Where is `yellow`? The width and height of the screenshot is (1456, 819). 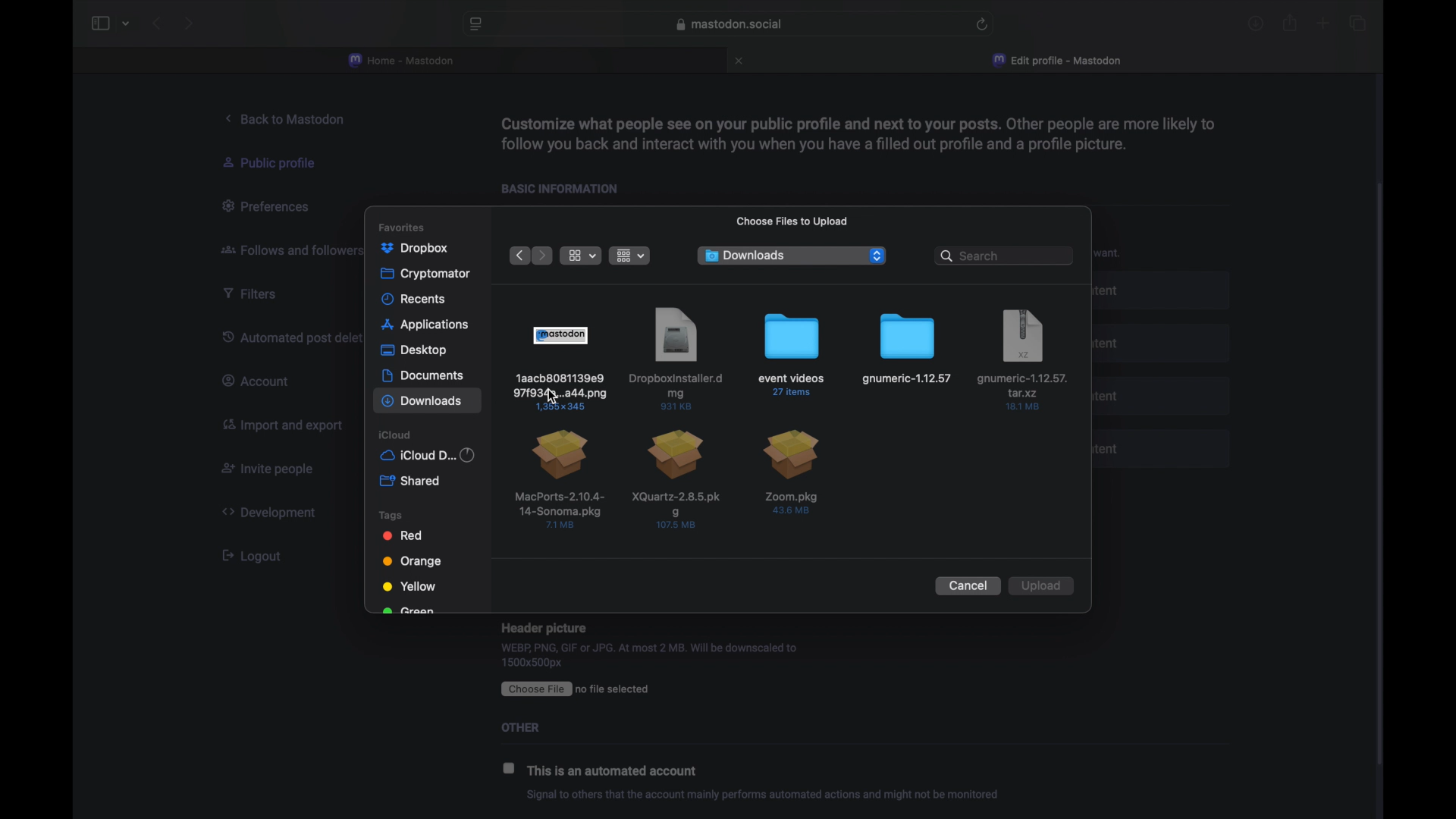
yellow is located at coordinates (409, 586).